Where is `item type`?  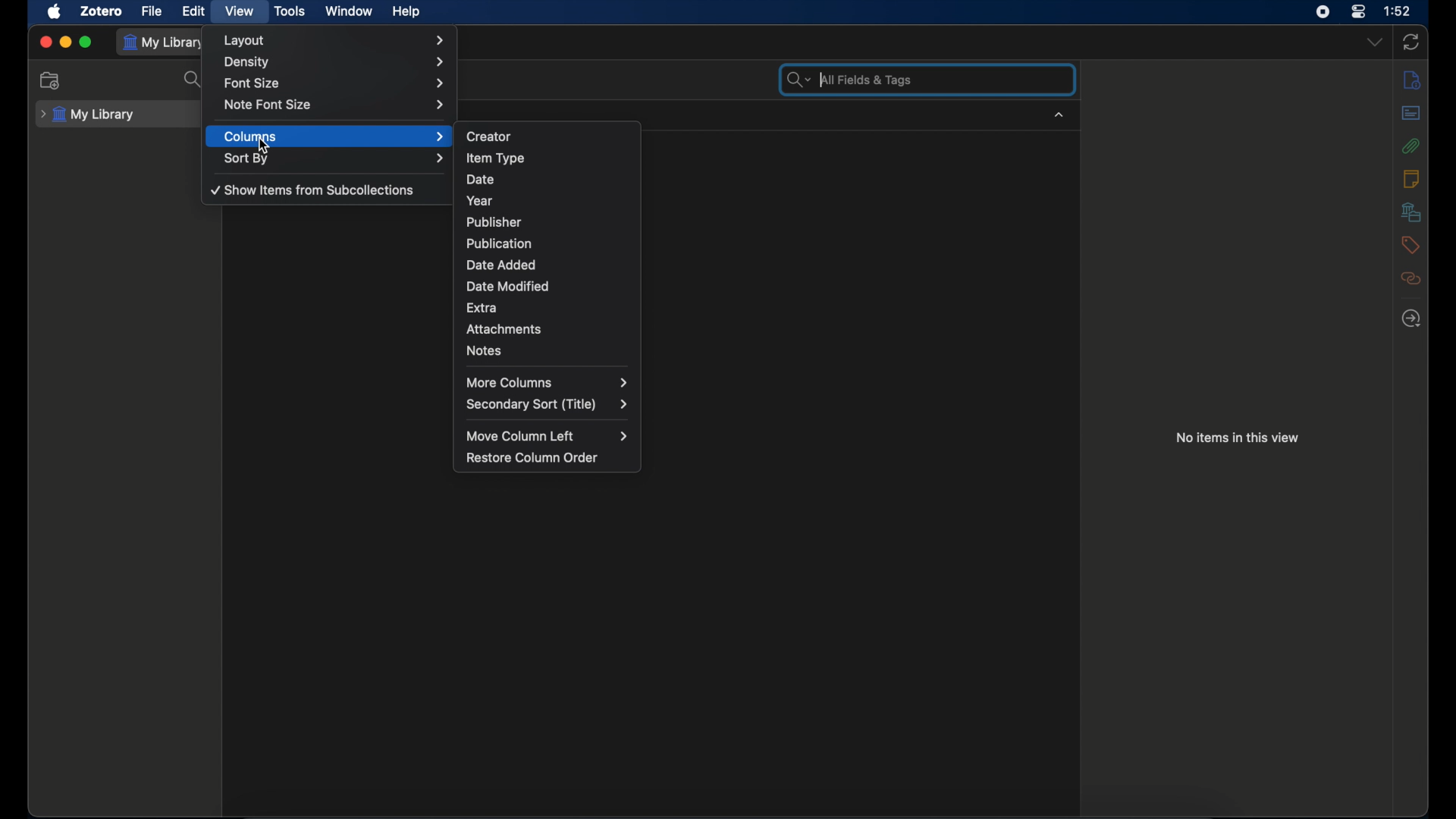 item type is located at coordinates (495, 158).